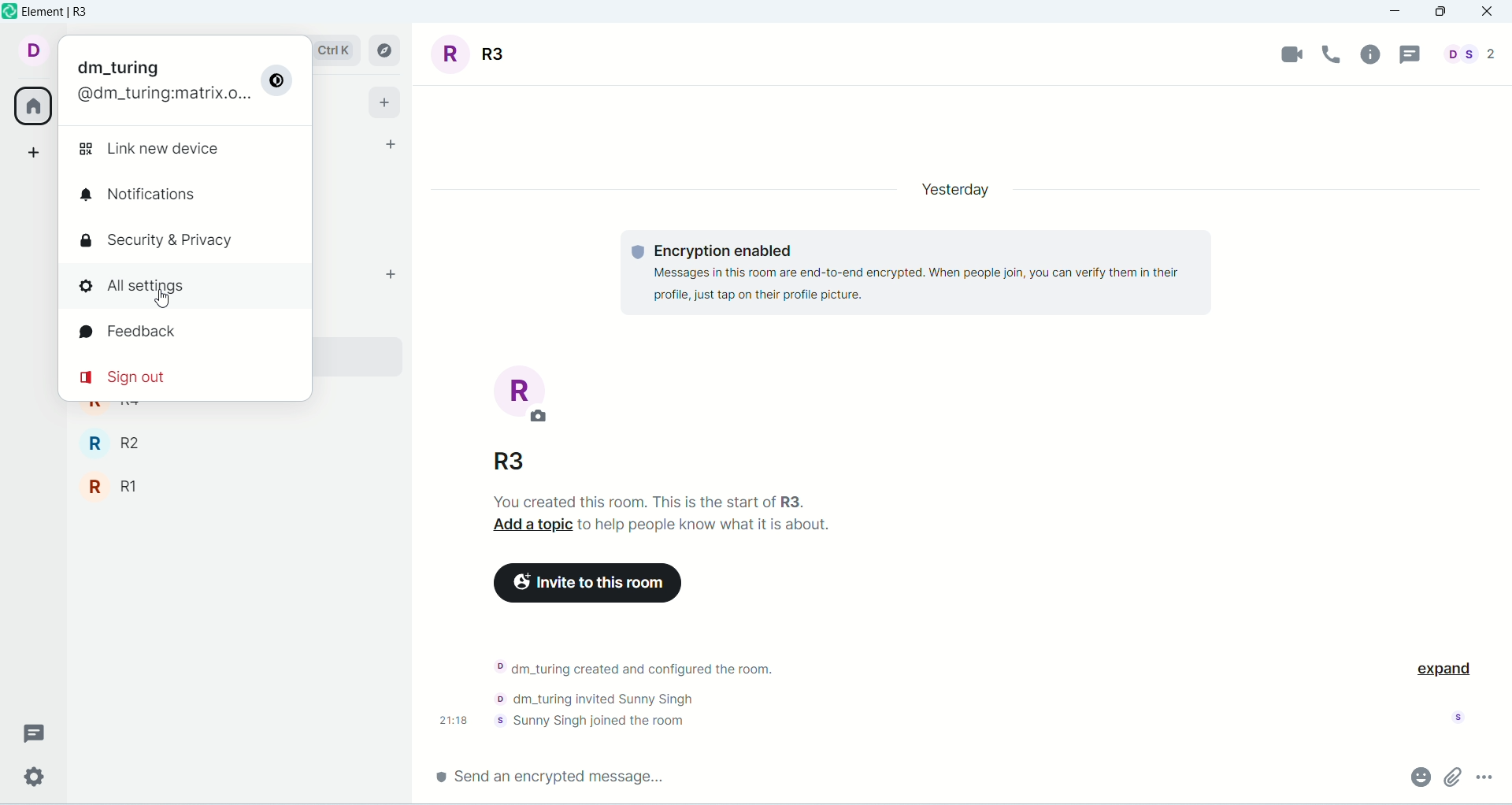 The width and height of the screenshot is (1512, 805). I want to click on account, so click(31, 51).